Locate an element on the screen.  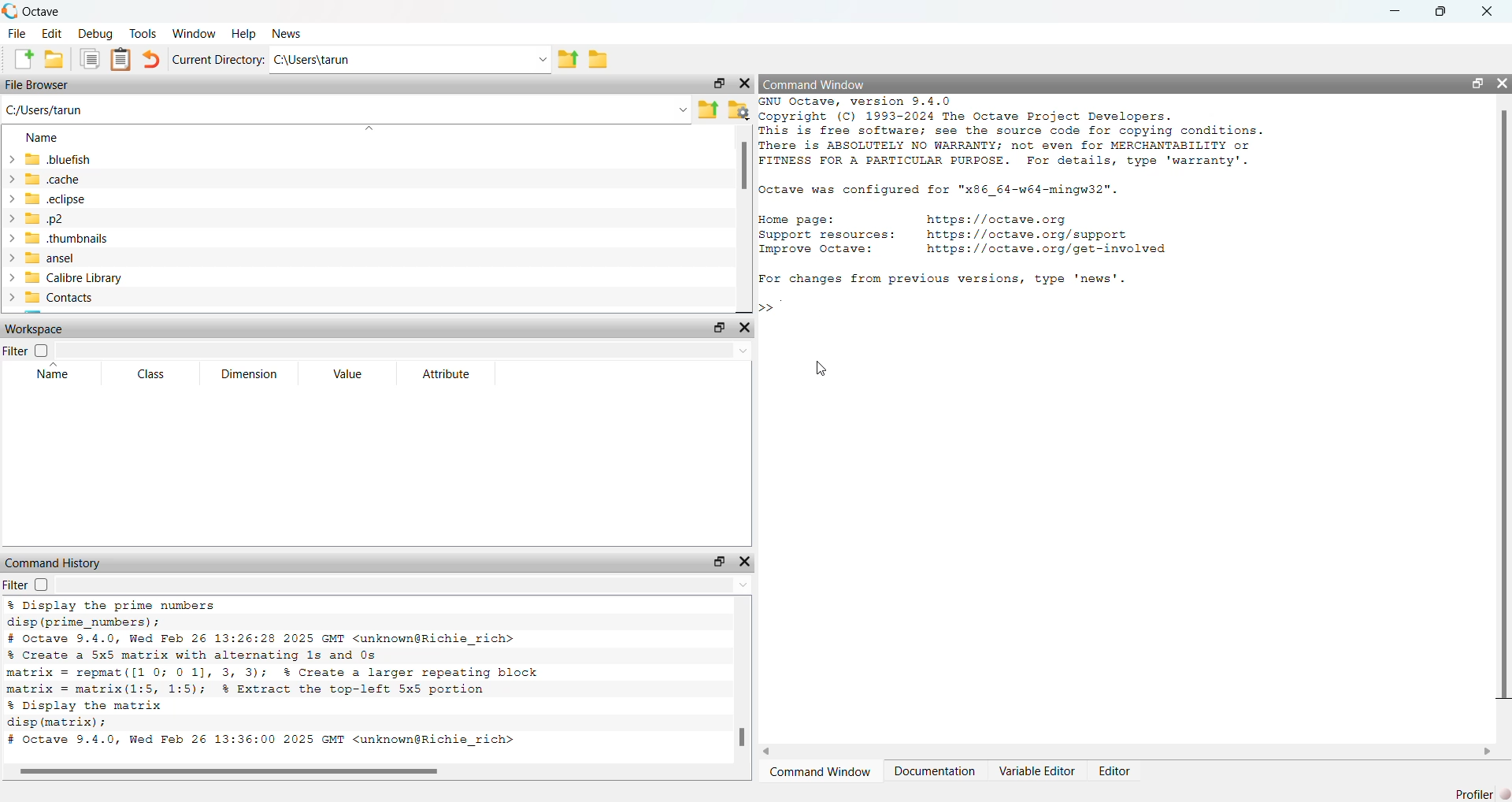
variable editor is located at coordinates (1037, 771).